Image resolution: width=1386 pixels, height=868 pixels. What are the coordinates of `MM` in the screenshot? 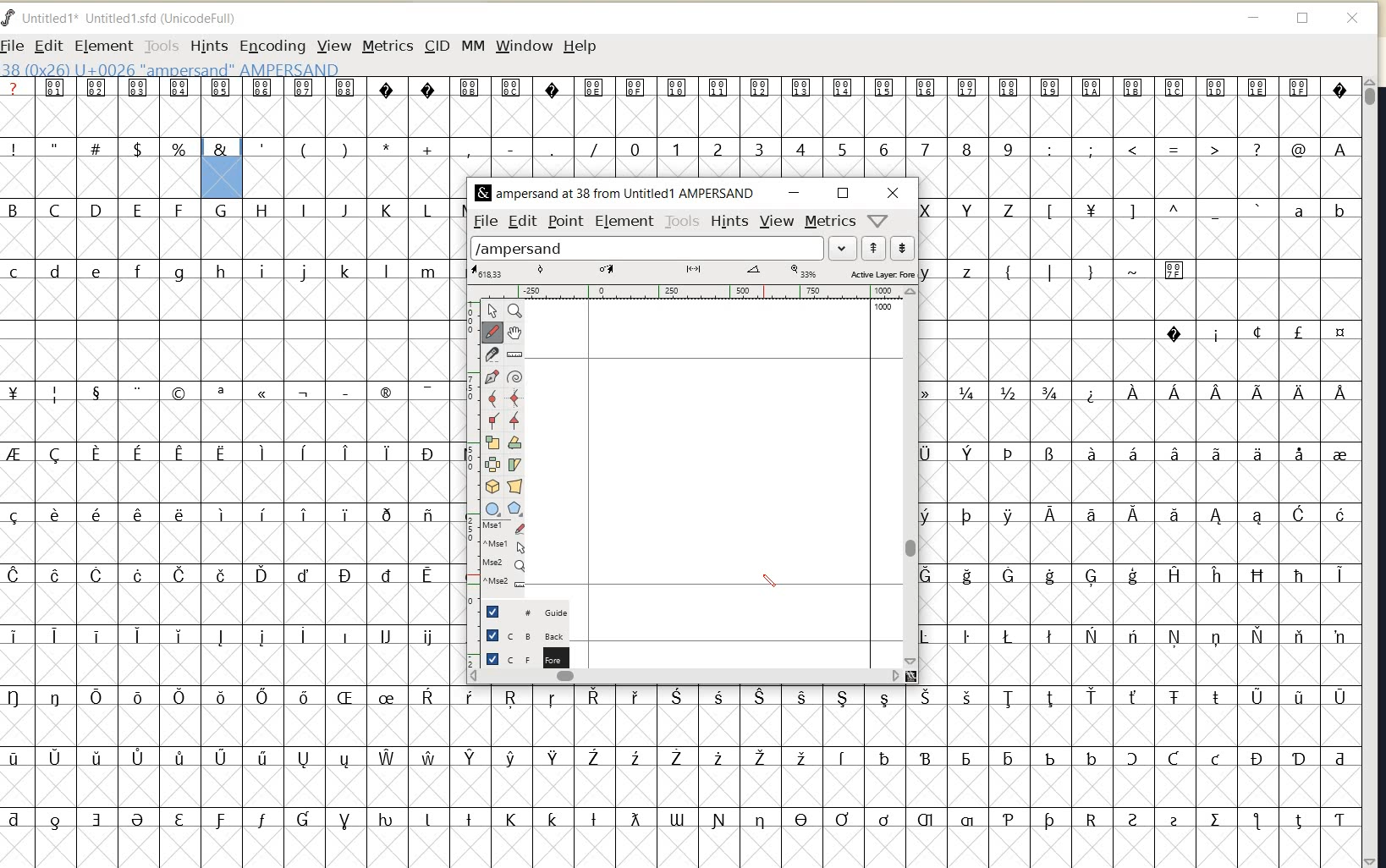 It's located at (471, 45).